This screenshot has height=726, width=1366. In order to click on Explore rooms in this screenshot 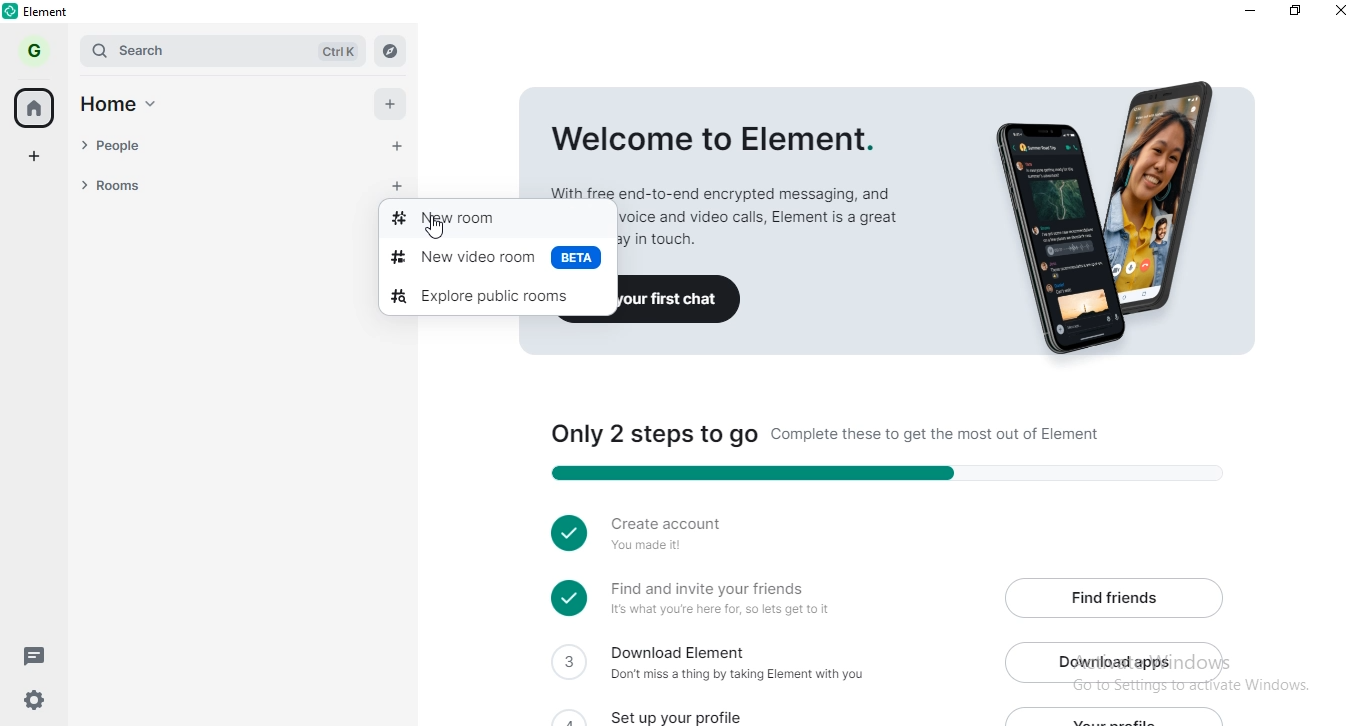, I will do `click(391, 49)`.